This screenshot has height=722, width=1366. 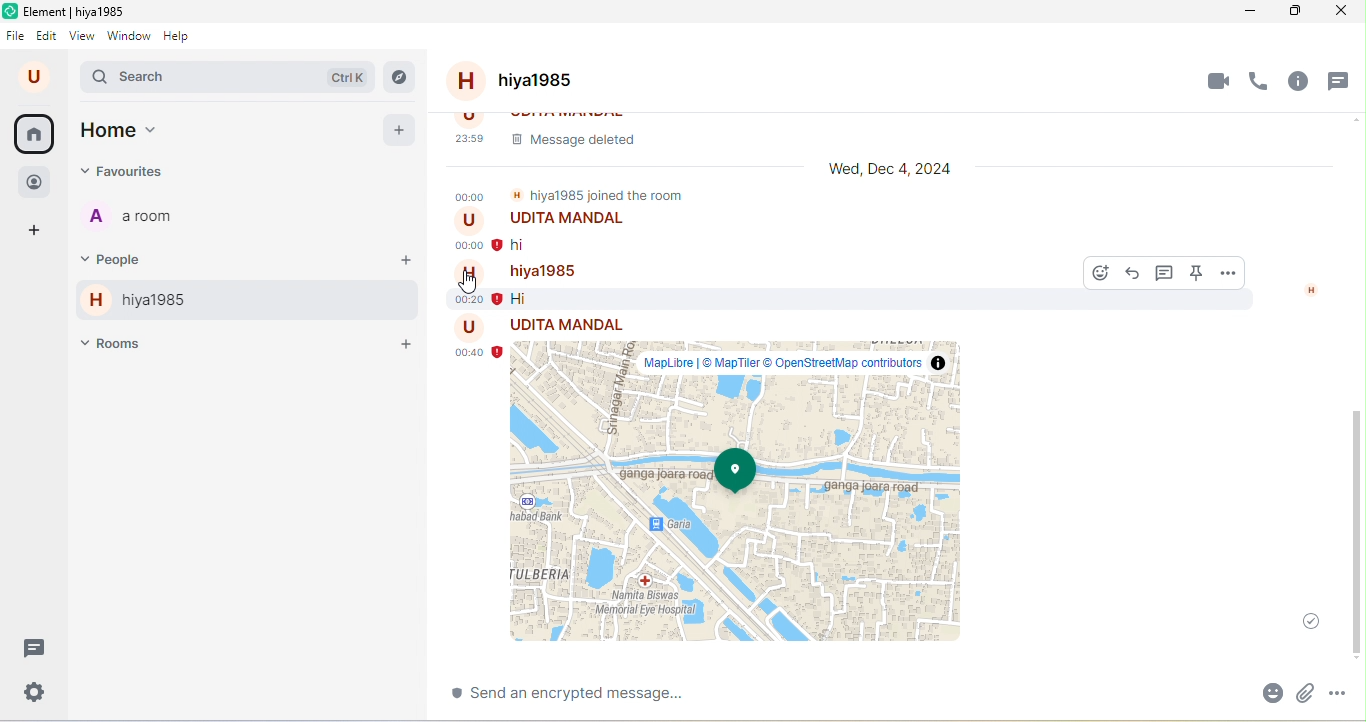 I want to click on cursor, so click(x=470, y=284).